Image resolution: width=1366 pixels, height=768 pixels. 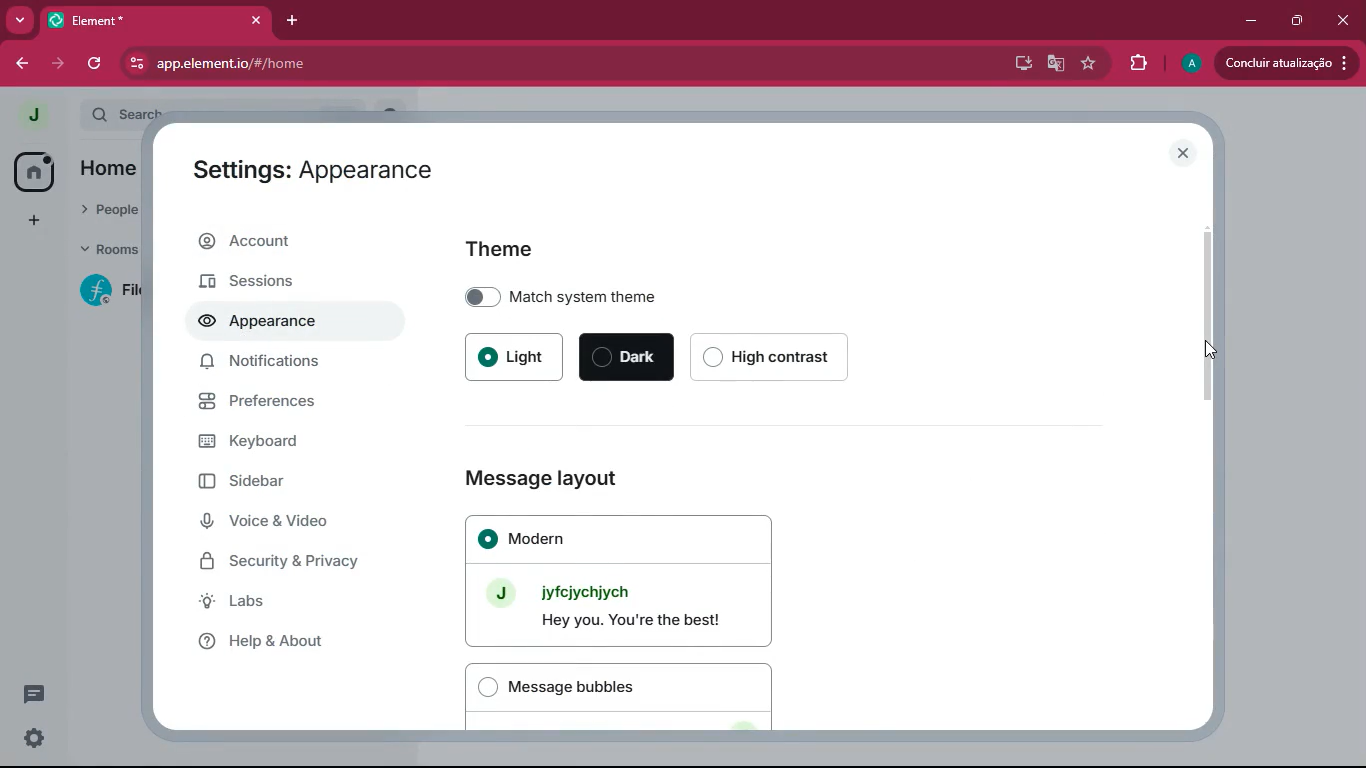 What do you see at coordinates (1020, 64) in the screenshot?
I see `desktop` at bounding box center [1020, 64].